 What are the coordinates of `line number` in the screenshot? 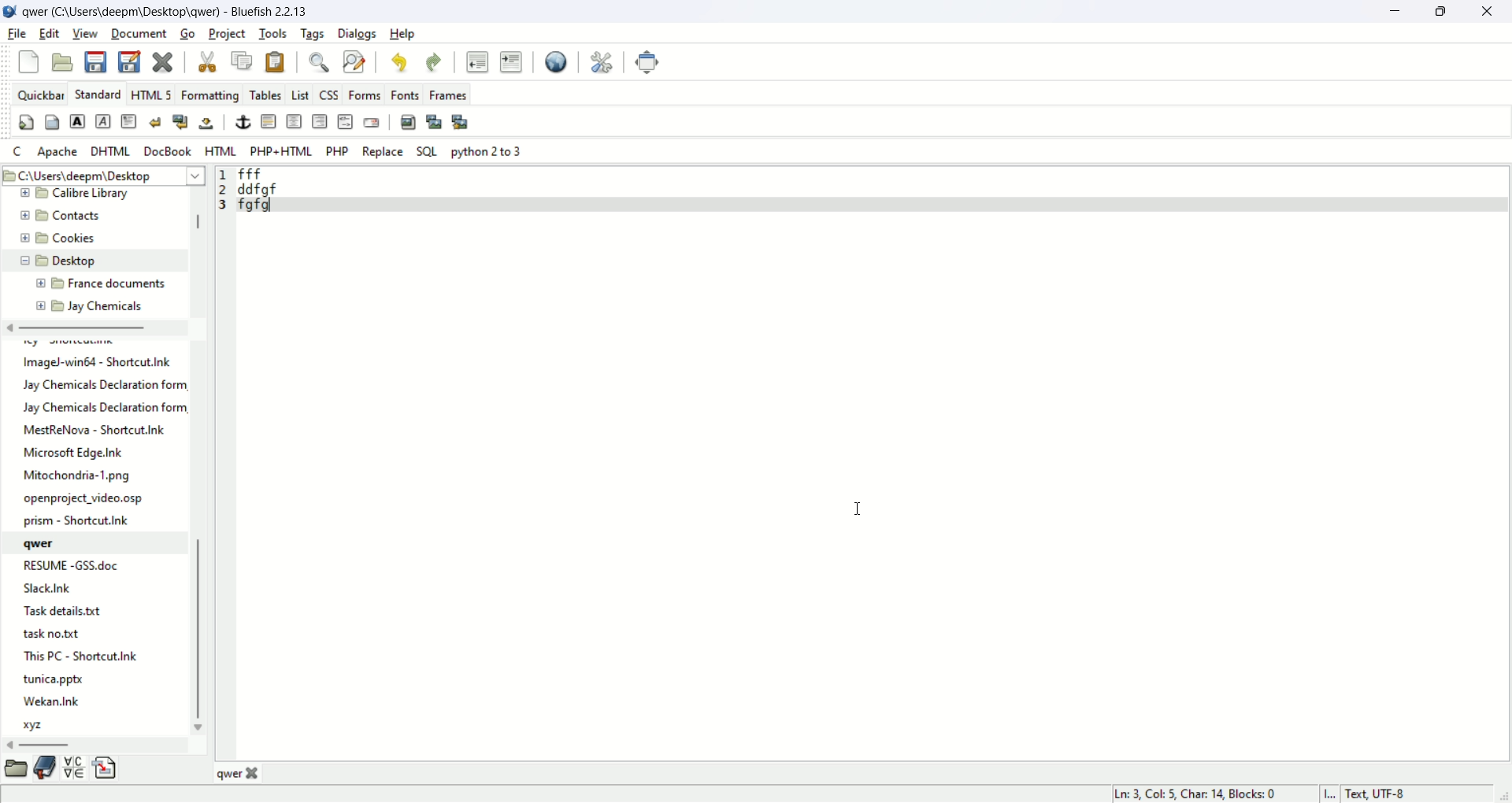 It's located at (224, 201).